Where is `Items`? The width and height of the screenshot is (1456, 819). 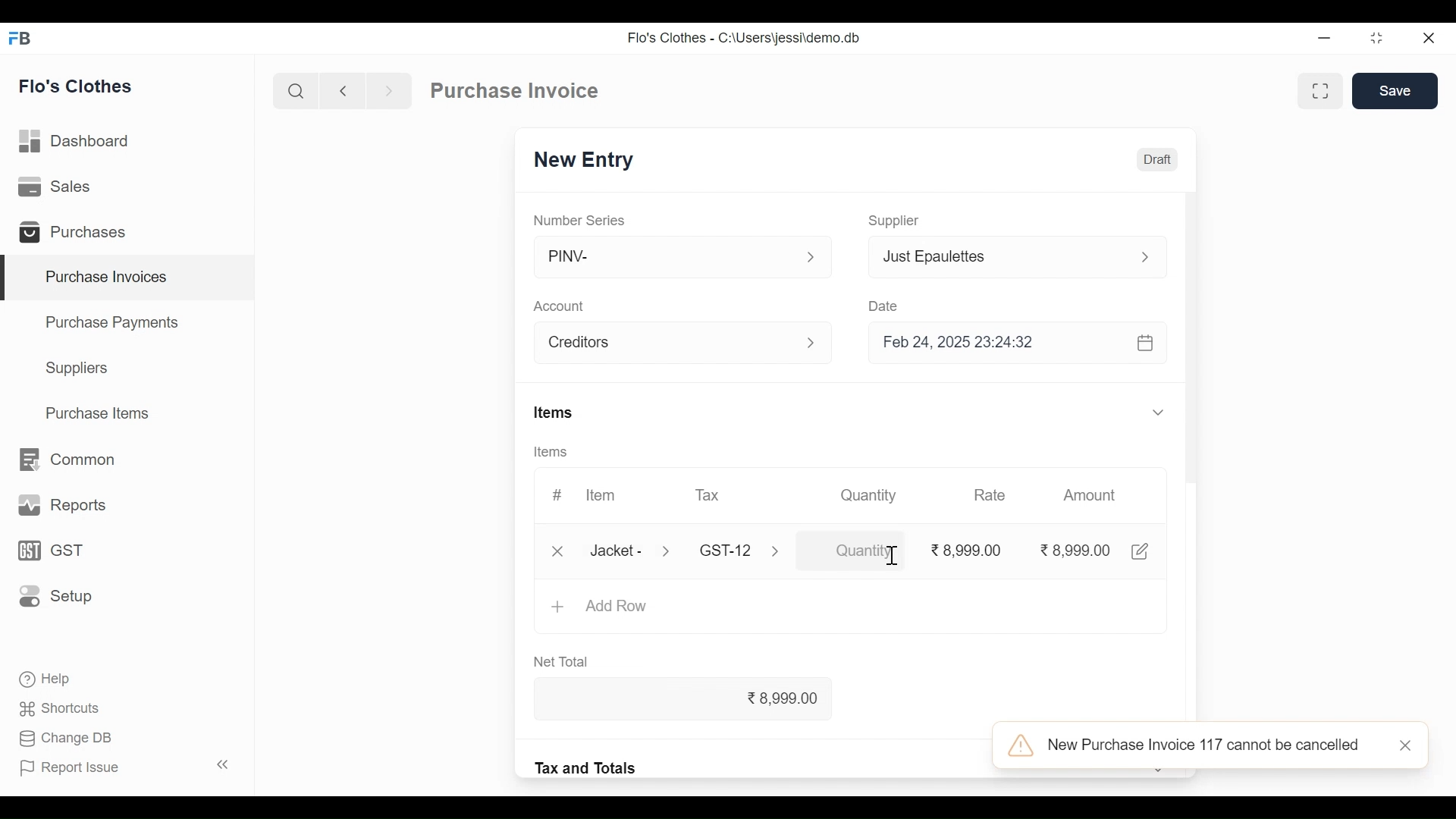
Items is located at coordinates (549, 452).